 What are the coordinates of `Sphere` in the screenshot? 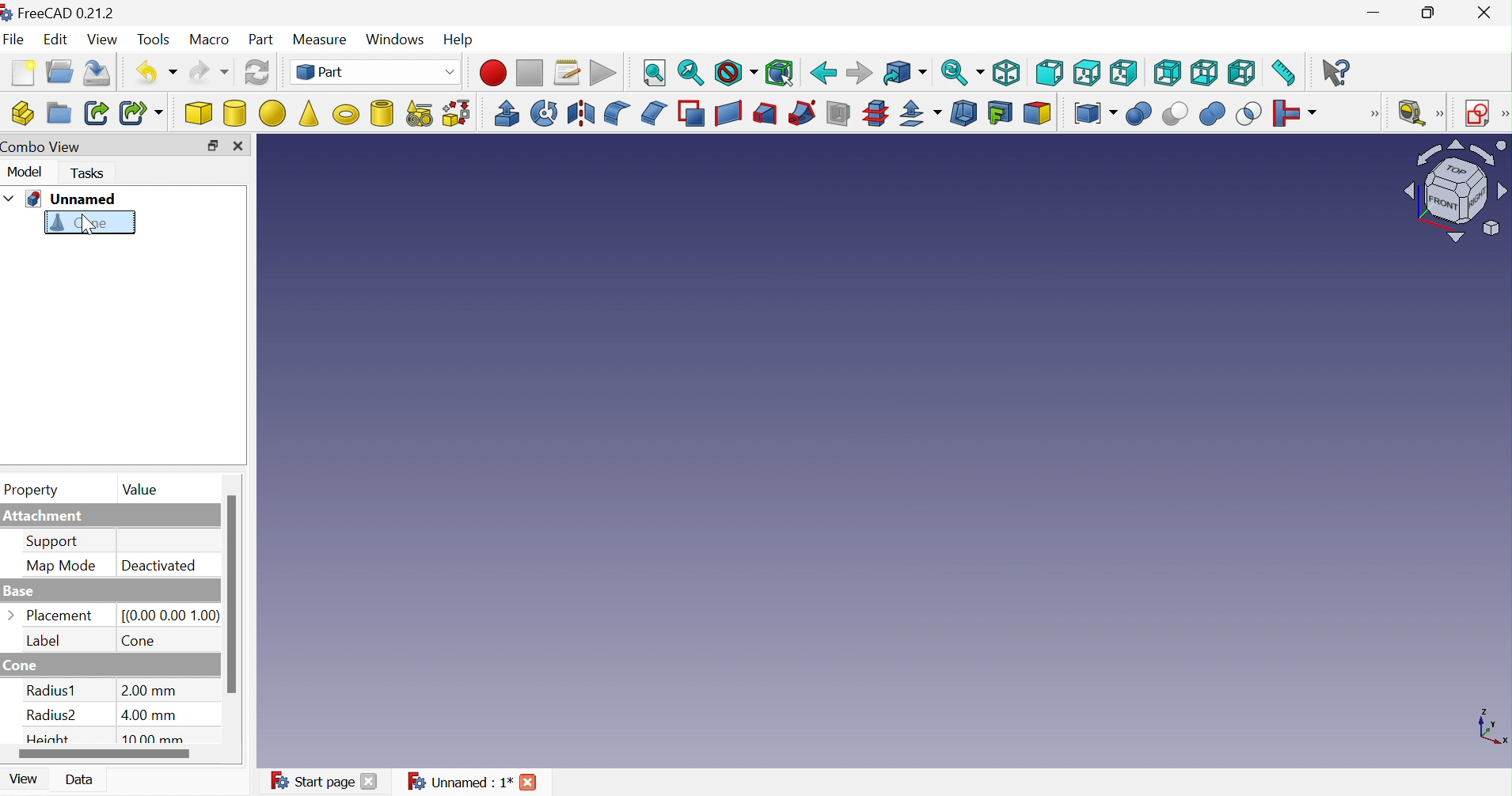 It's located at (272, 114).